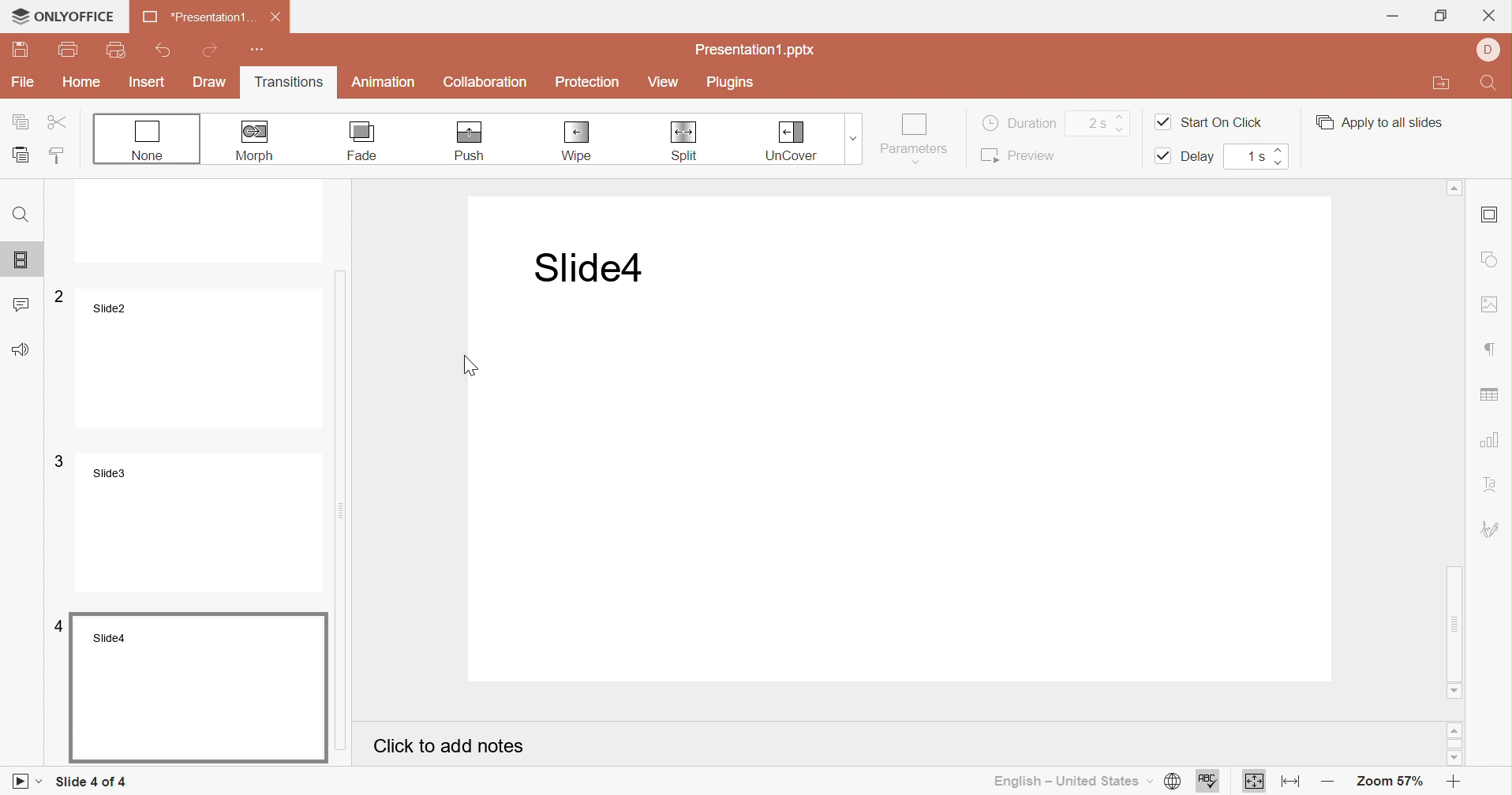  Describe the element at coordinates (364, 141) in the screenshot. I see `Fade` at that location.